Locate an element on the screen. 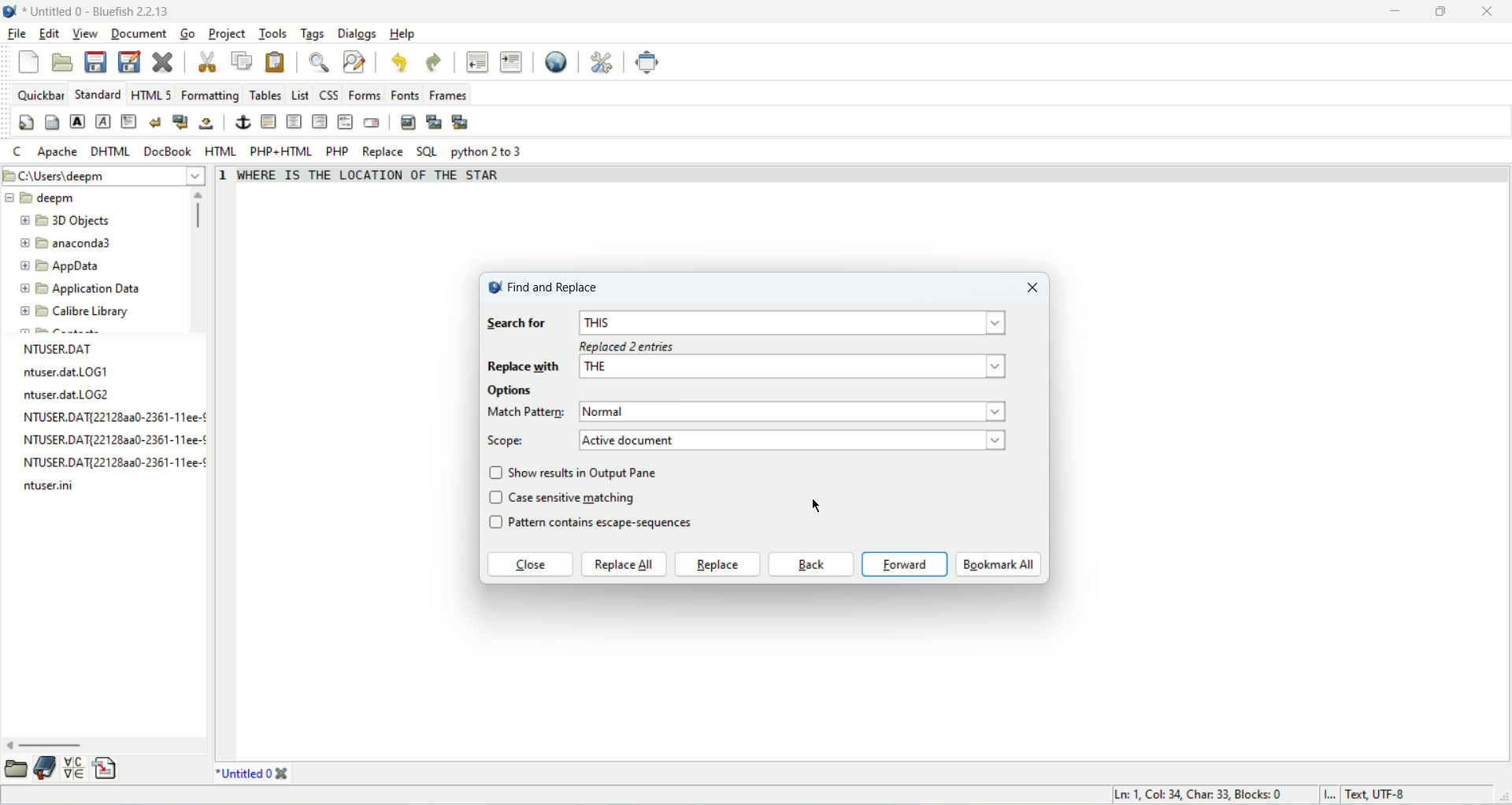 Image resolution: width=1512 pixels, height=805 pixels. scroll bar is located at coordinates (105, 746).